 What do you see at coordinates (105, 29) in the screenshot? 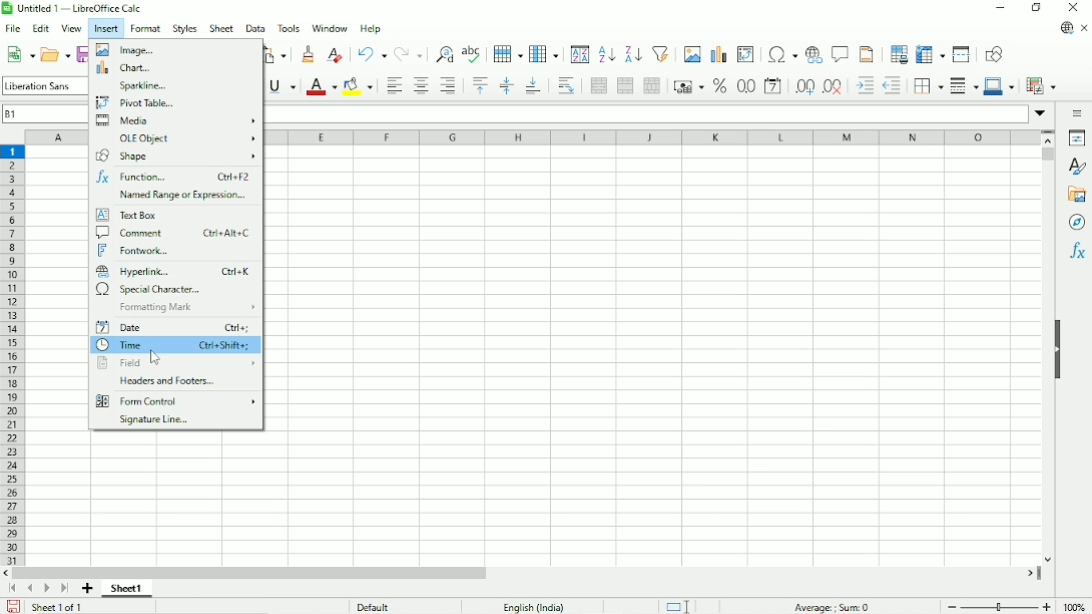
I see `Insert` at bounding box center [105, 29].